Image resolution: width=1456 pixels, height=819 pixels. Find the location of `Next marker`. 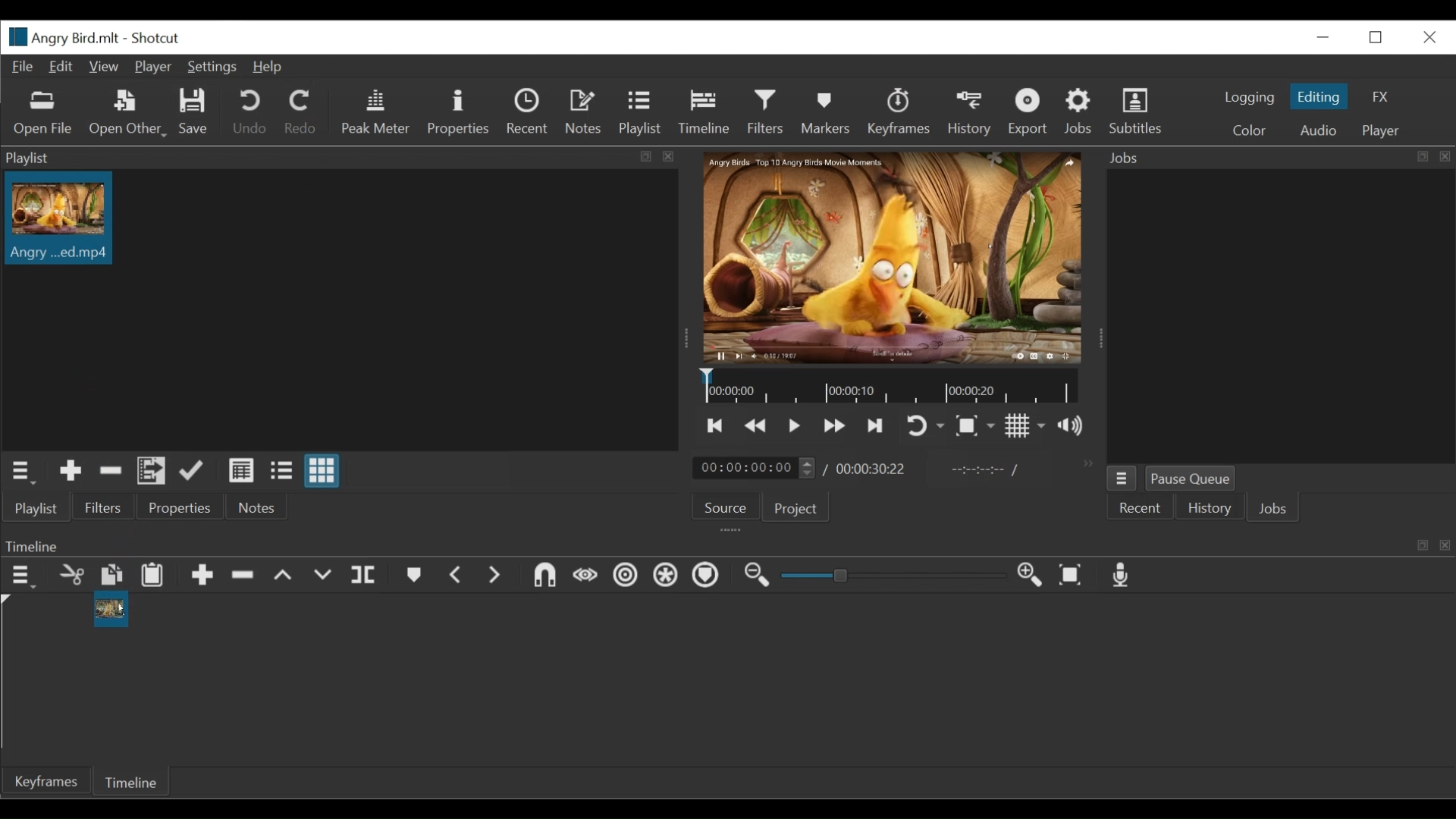

Next marker is located at coordinates (495, 576).